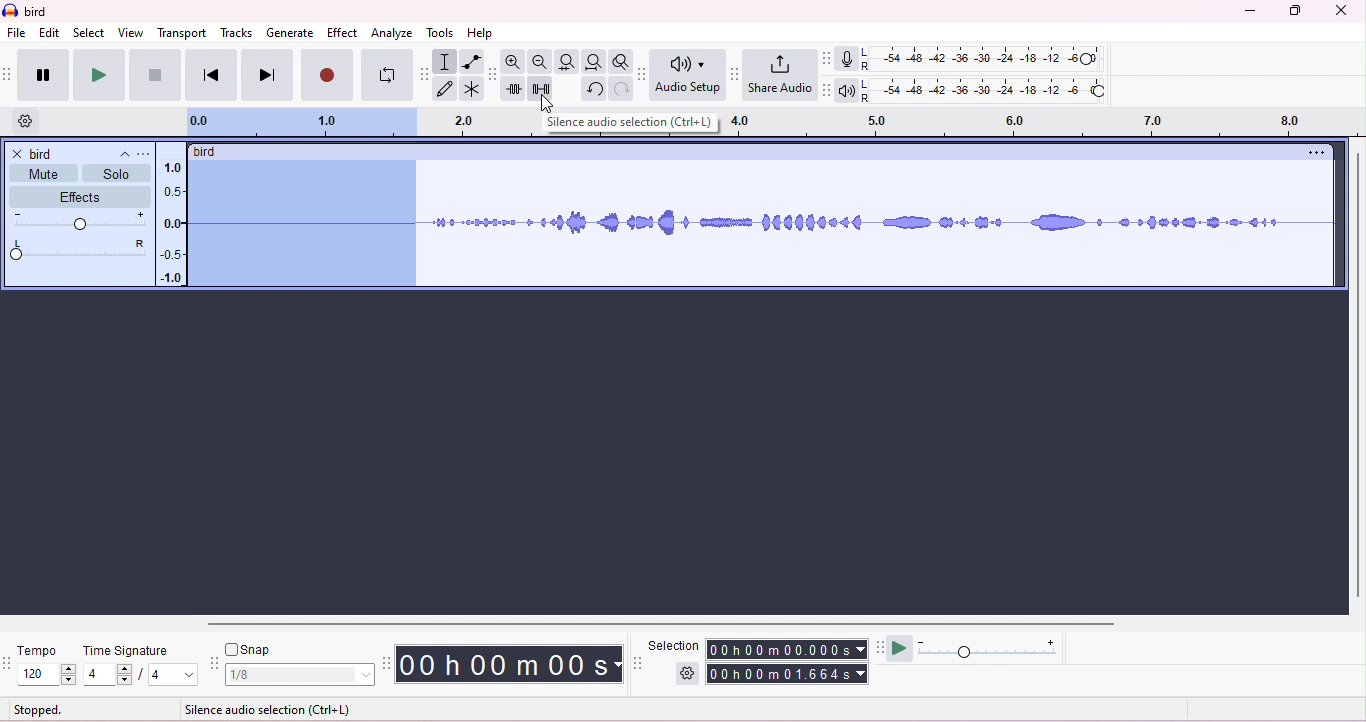 The height and width of the screenshot is (722, 1366). What do you see at coordinates (26, 120) in the screenshot?
I see `timeline options` at bounding box center [26, 120].